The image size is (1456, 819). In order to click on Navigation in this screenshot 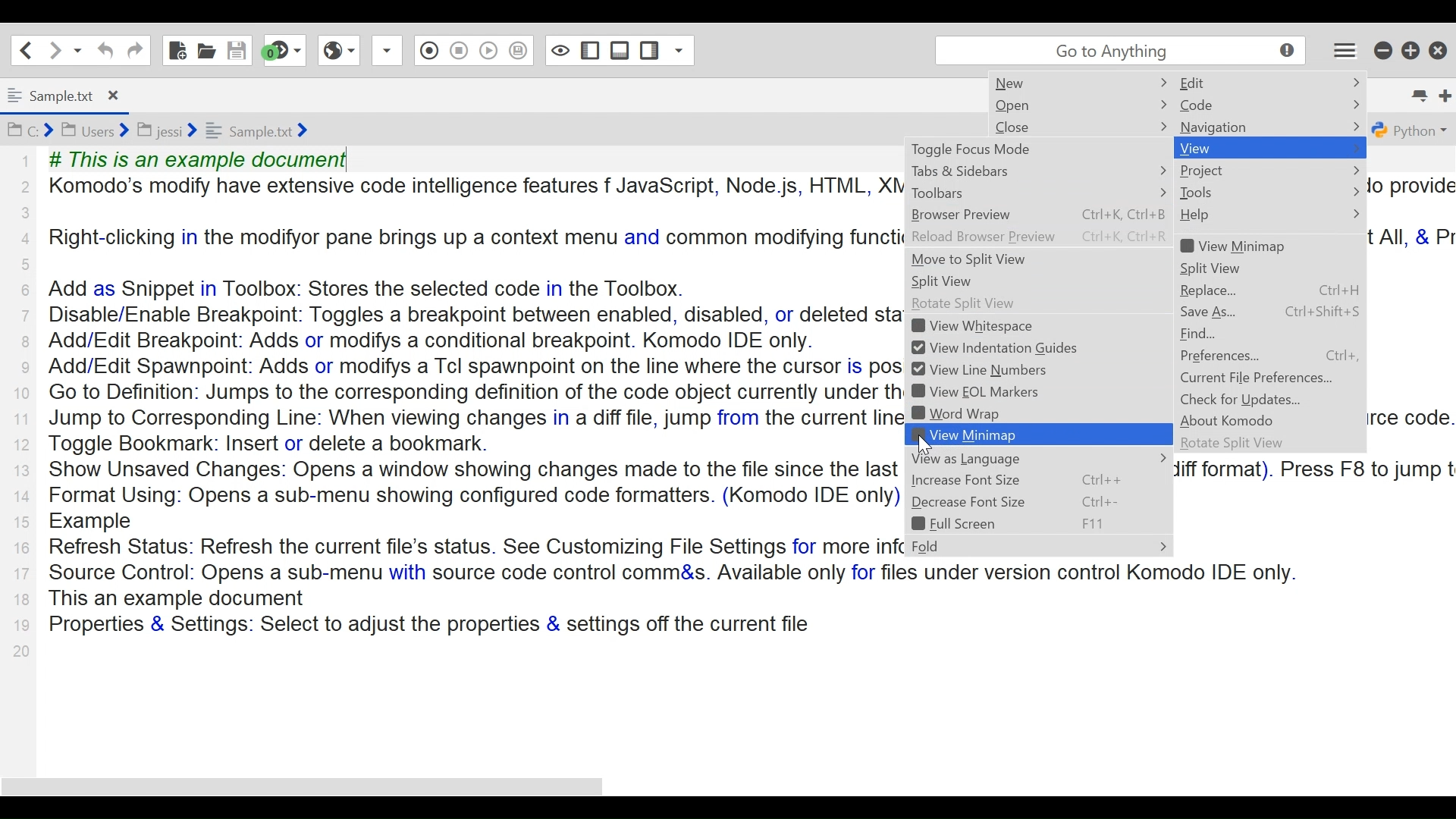, I will do `click(1222, 127)`.